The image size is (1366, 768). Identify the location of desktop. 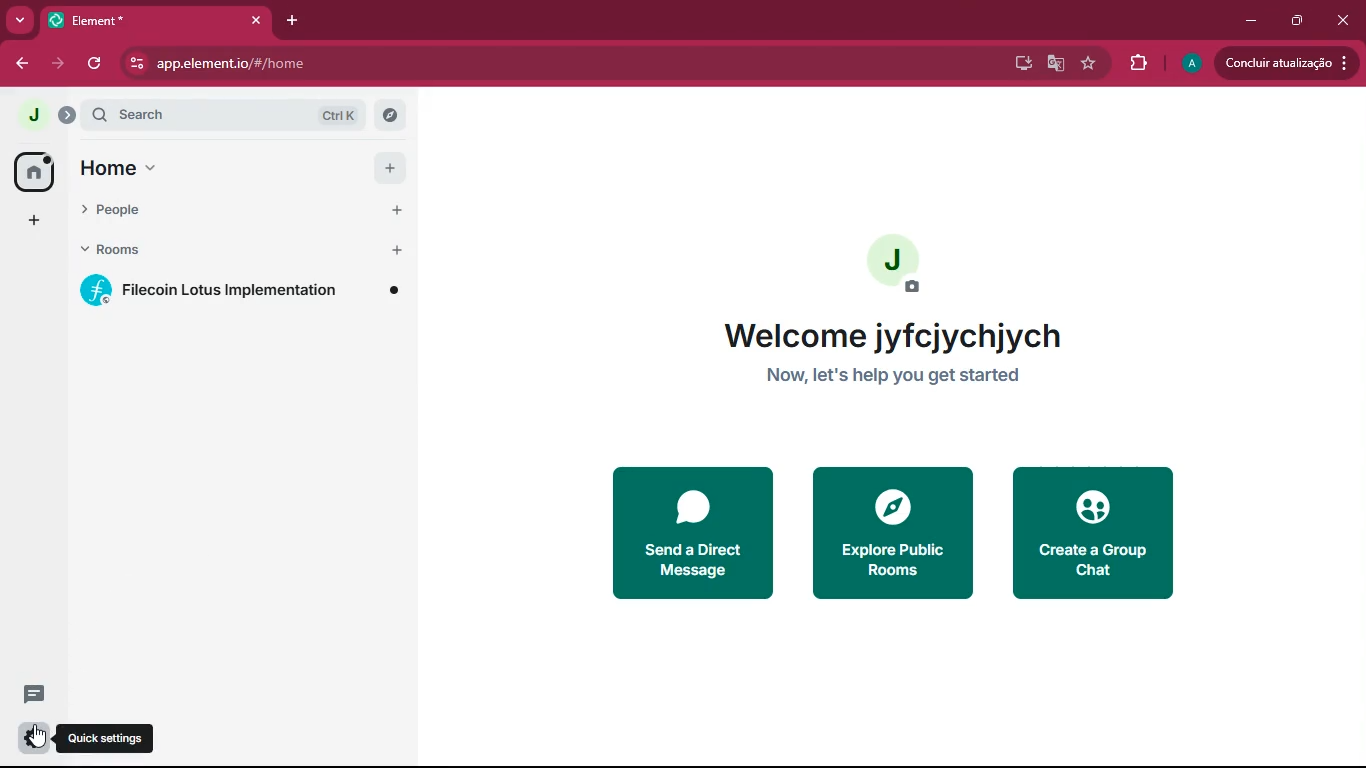
(1018, 65).